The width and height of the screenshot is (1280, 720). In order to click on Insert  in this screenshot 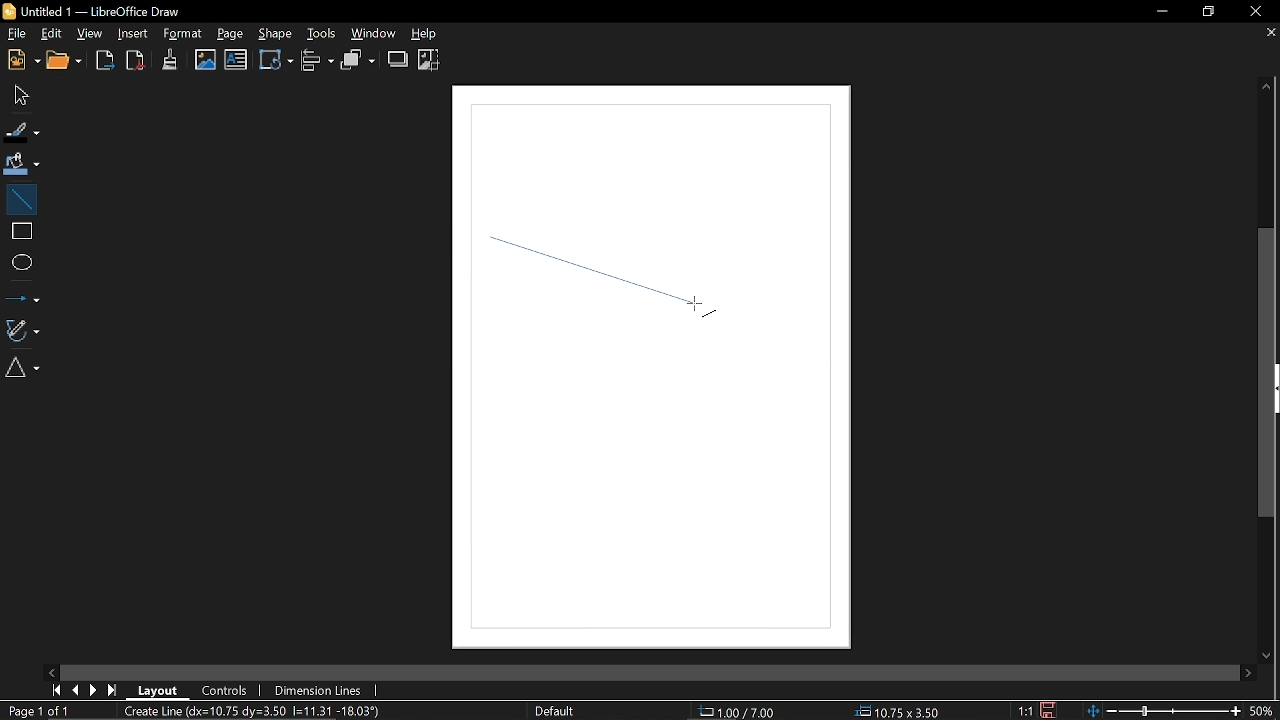, I will do `click(130, 34)`.